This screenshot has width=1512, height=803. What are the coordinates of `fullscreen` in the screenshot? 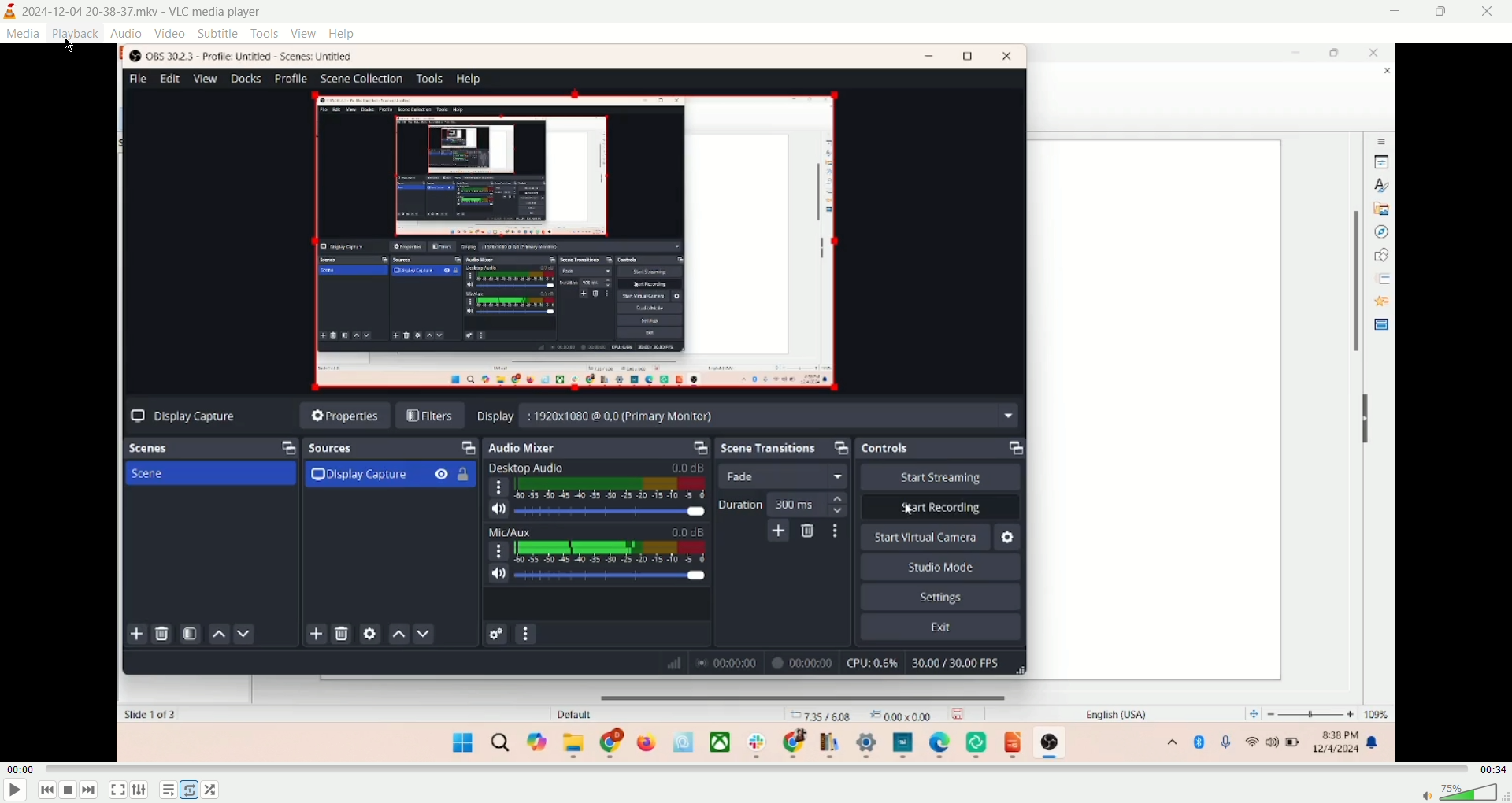 It's located at (117, 792).